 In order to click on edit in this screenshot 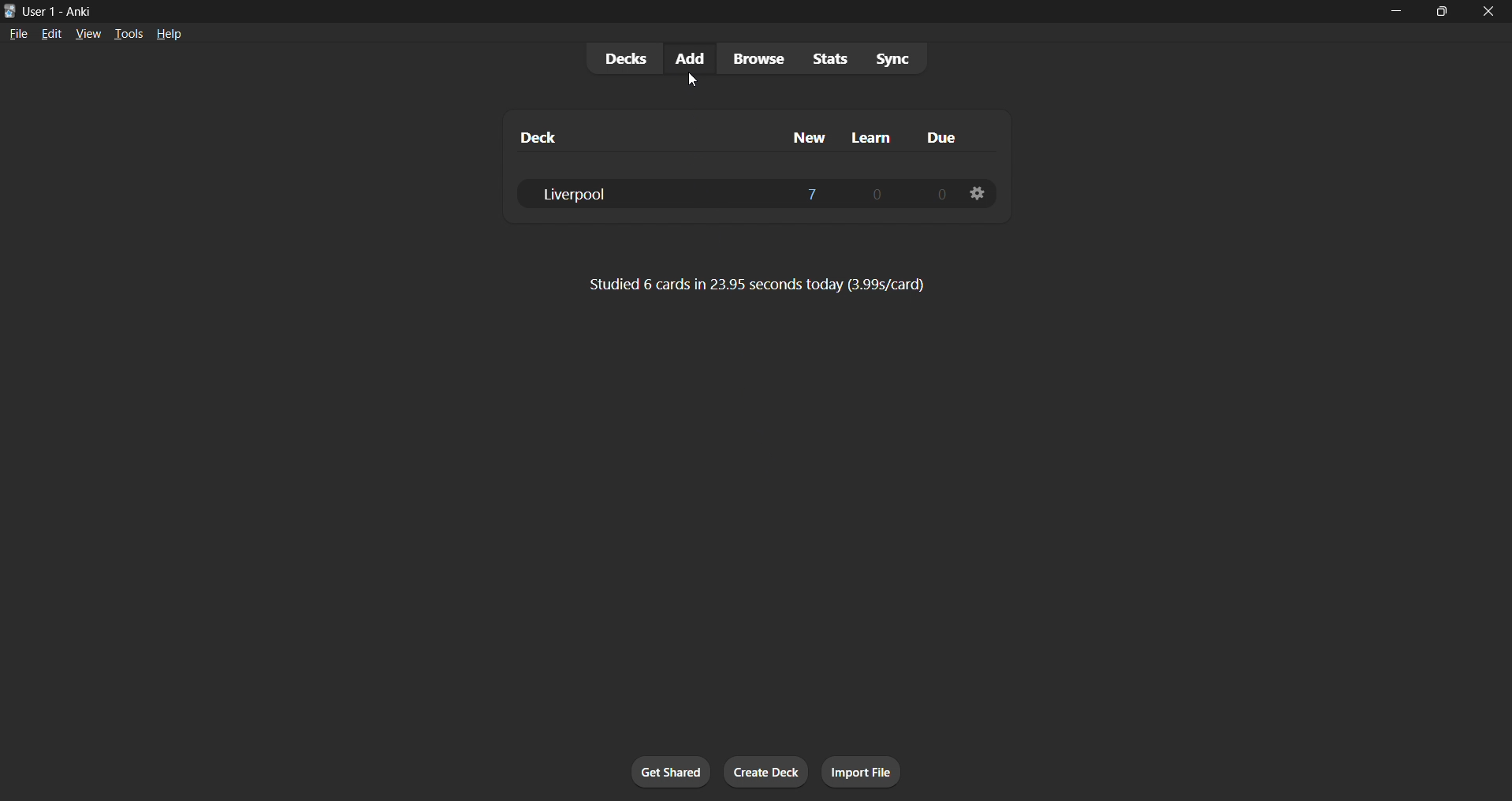, I will do `click(47, 32)`.